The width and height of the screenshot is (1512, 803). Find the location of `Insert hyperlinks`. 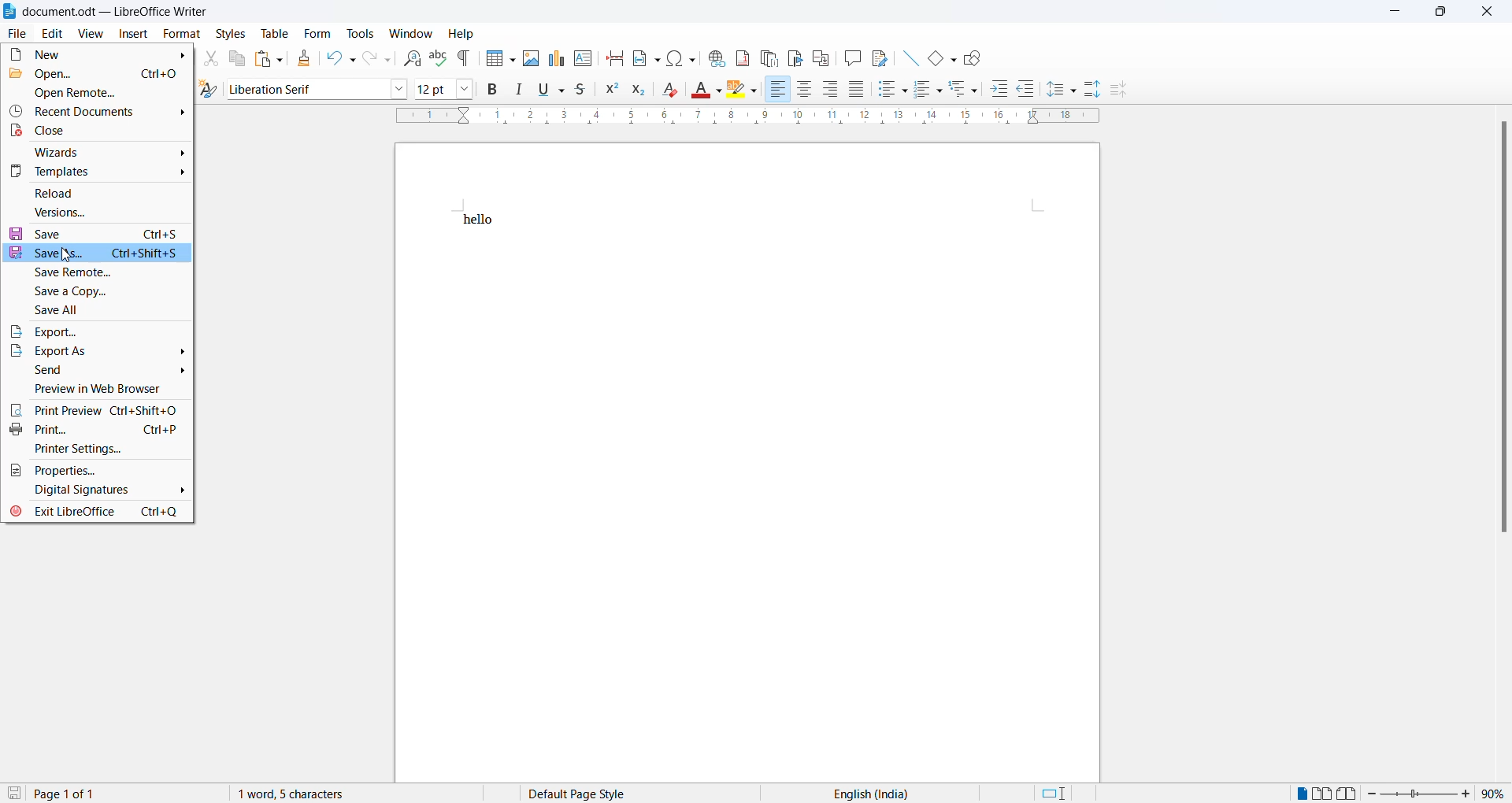

Insert hyperlinks is located at coordinates (714, 57).